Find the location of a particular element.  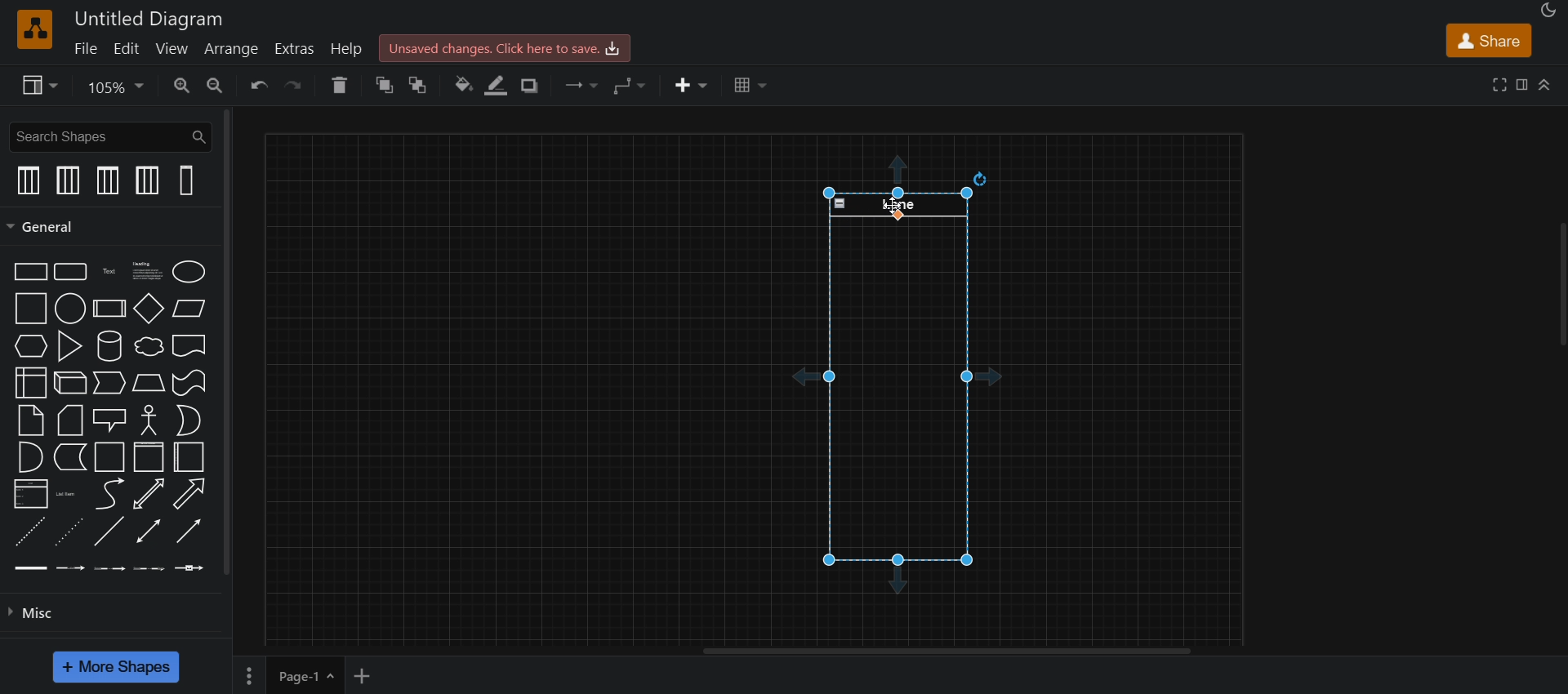

fill color is located at coordinates (461, 85).